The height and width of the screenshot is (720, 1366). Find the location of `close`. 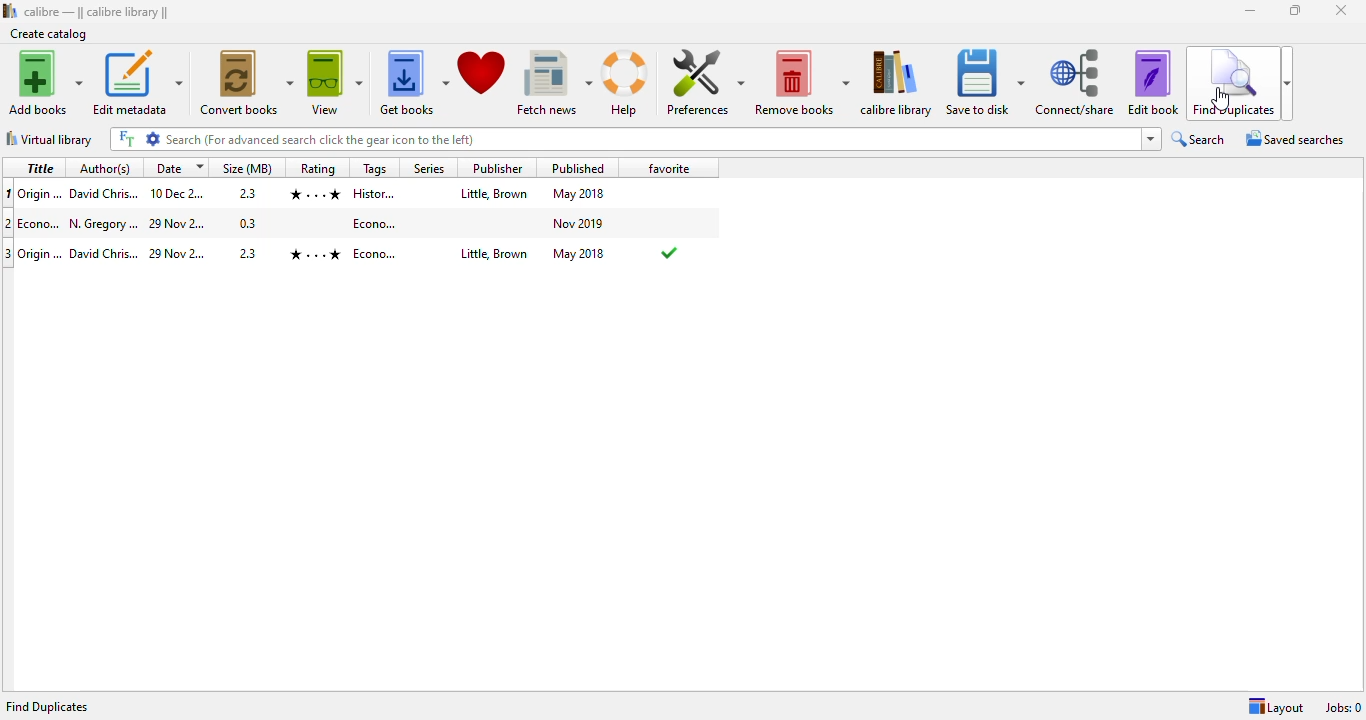

close is located at coordinates (1341, 11).